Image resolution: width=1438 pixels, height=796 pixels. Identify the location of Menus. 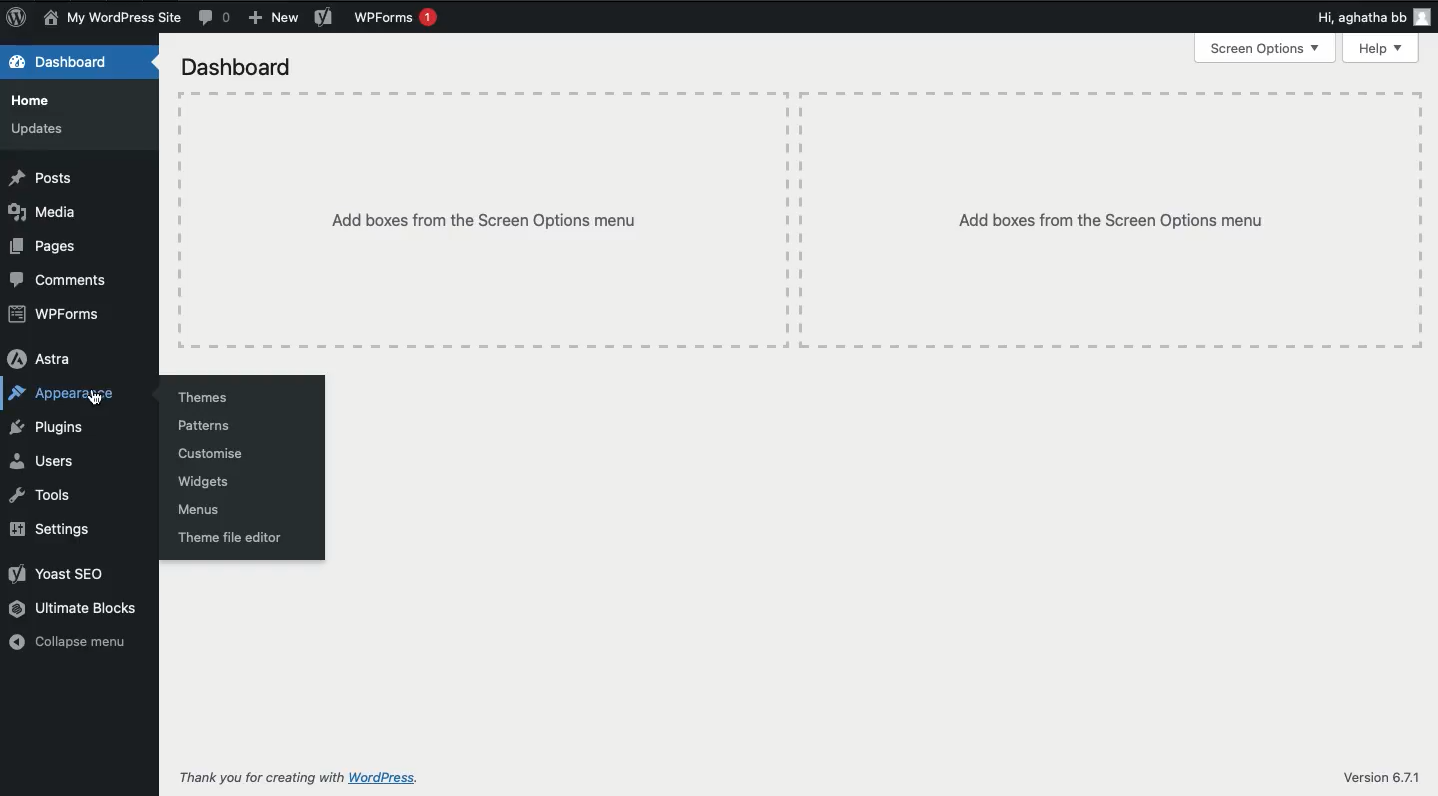
(203, 511).